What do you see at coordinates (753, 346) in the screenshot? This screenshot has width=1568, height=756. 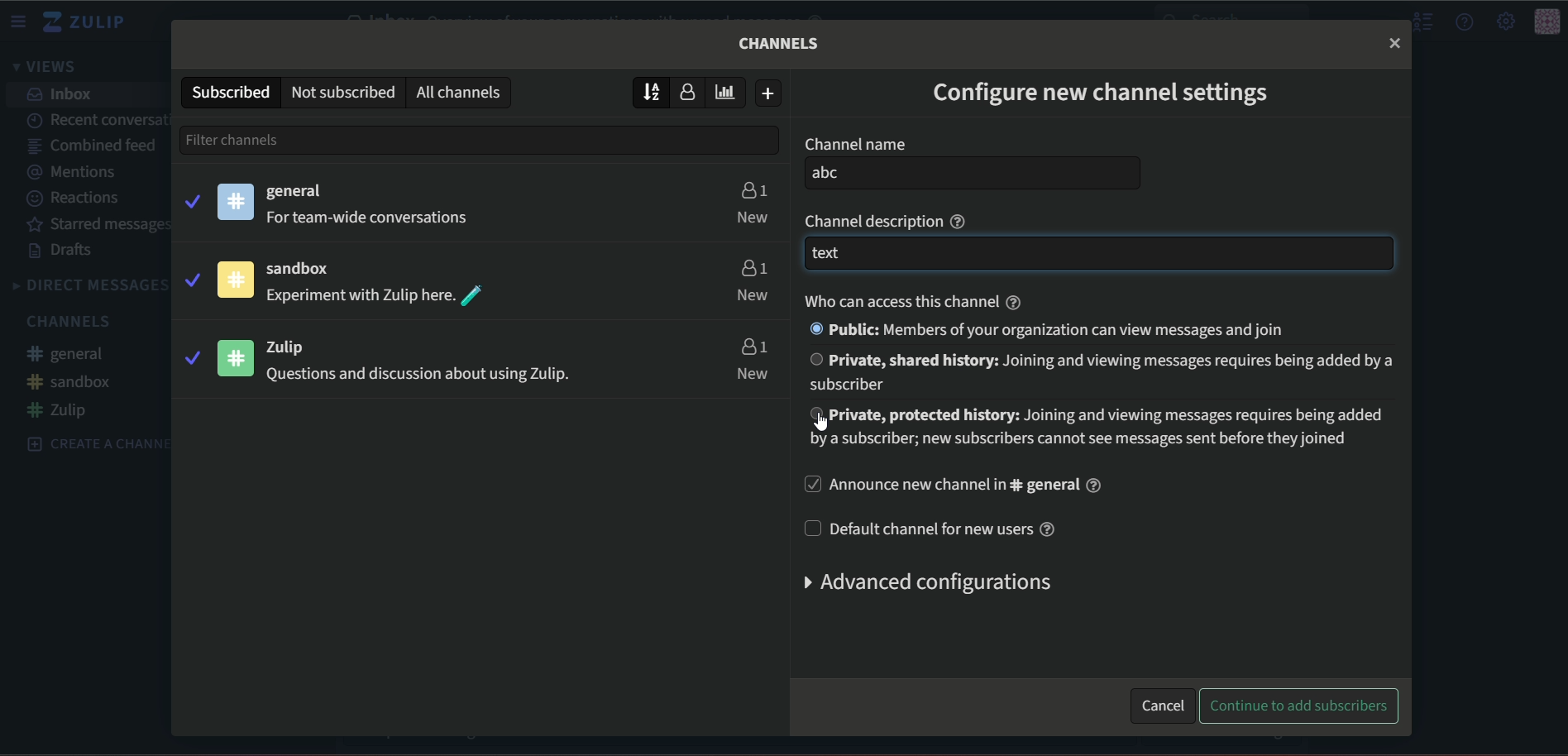 I see `users` at bounding box center [753, 346].